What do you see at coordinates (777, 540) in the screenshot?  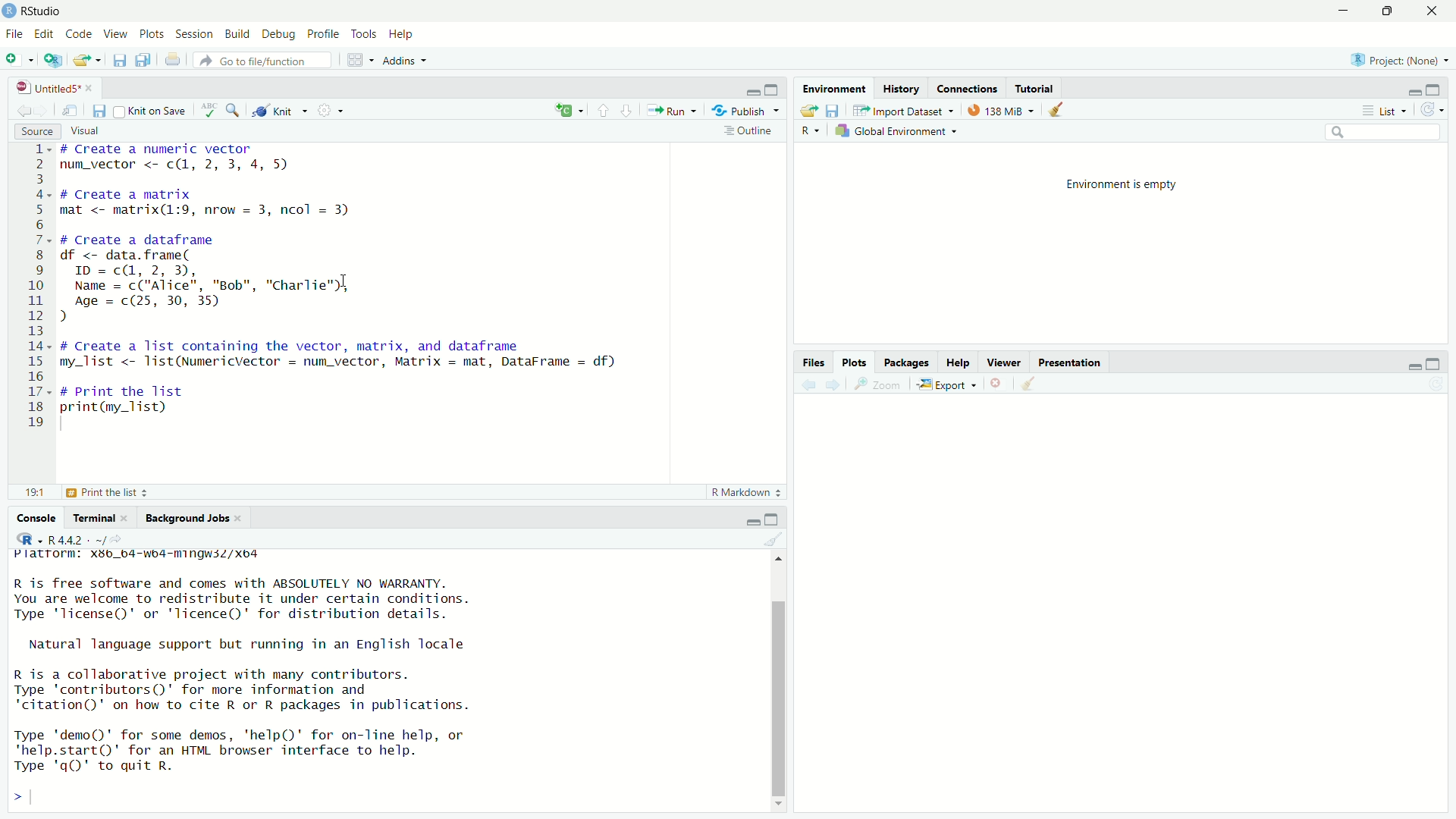 I see `clear` at bounding box center [777, 540].